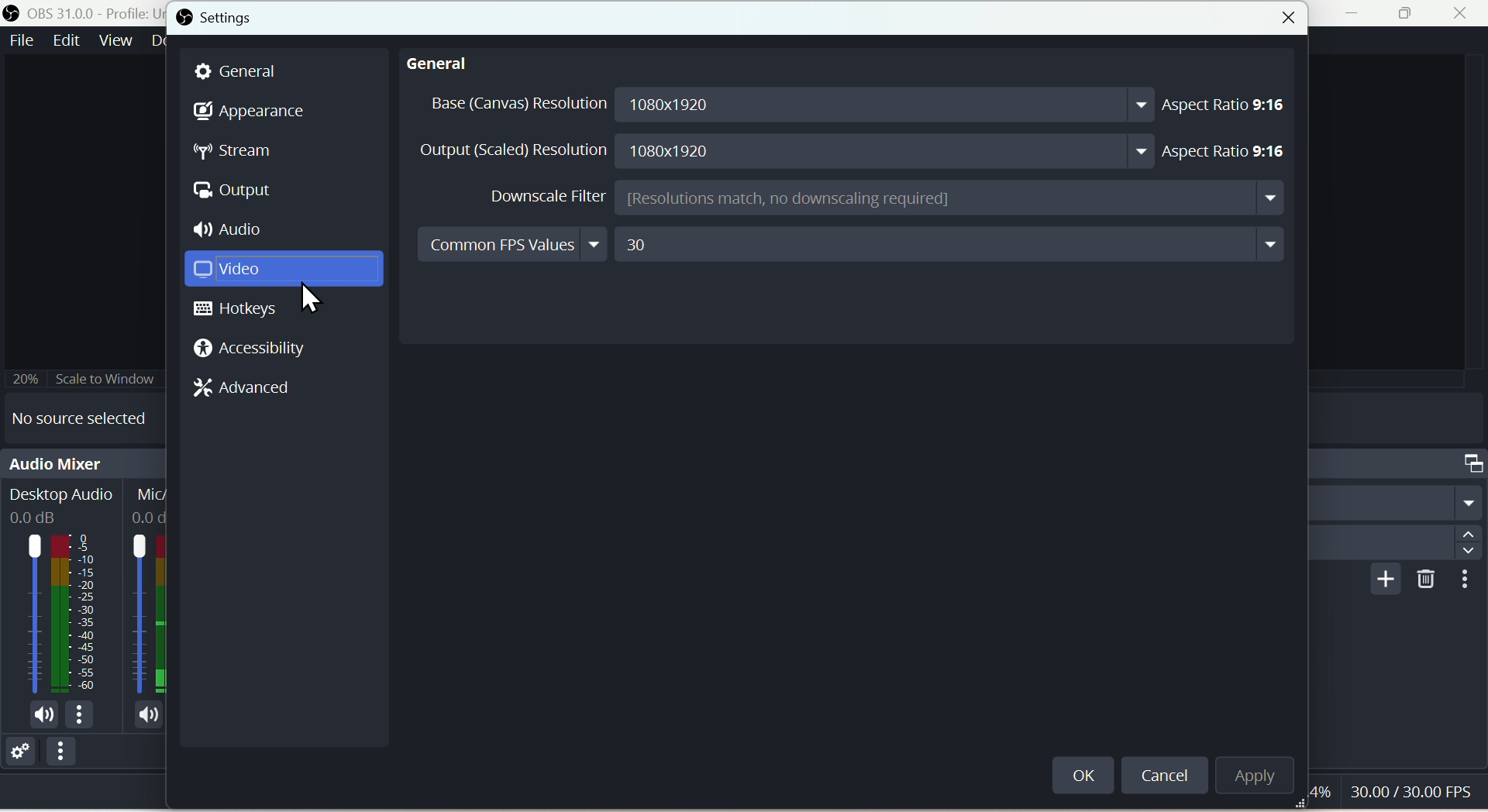 This screenshot has height=812, width=1488. I want to click on Close, so click(1287, 21).